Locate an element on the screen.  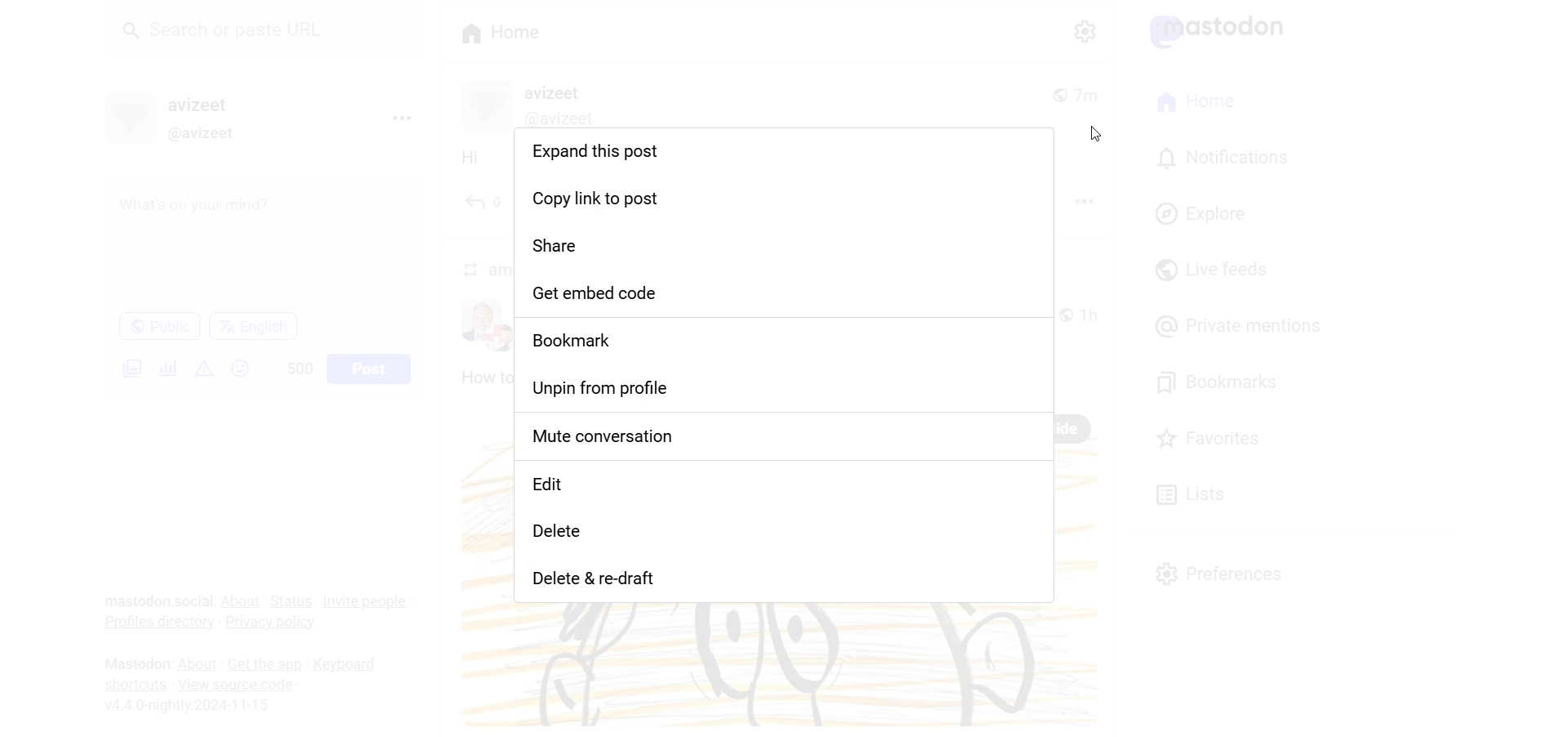
Copy Link to Post is located at coordinates (785, 198).